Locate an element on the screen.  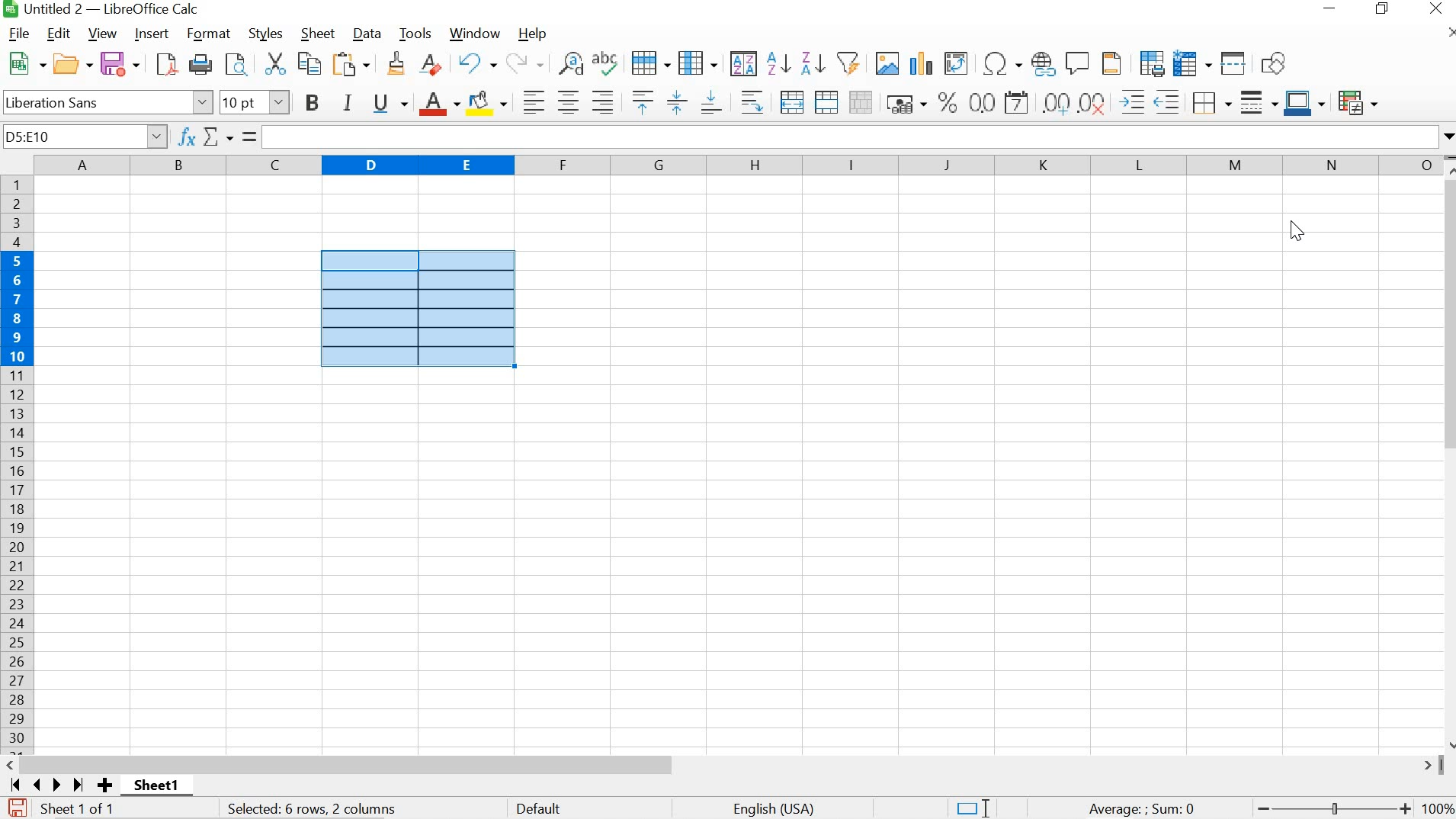
columns is located at coordinates (733, 165).